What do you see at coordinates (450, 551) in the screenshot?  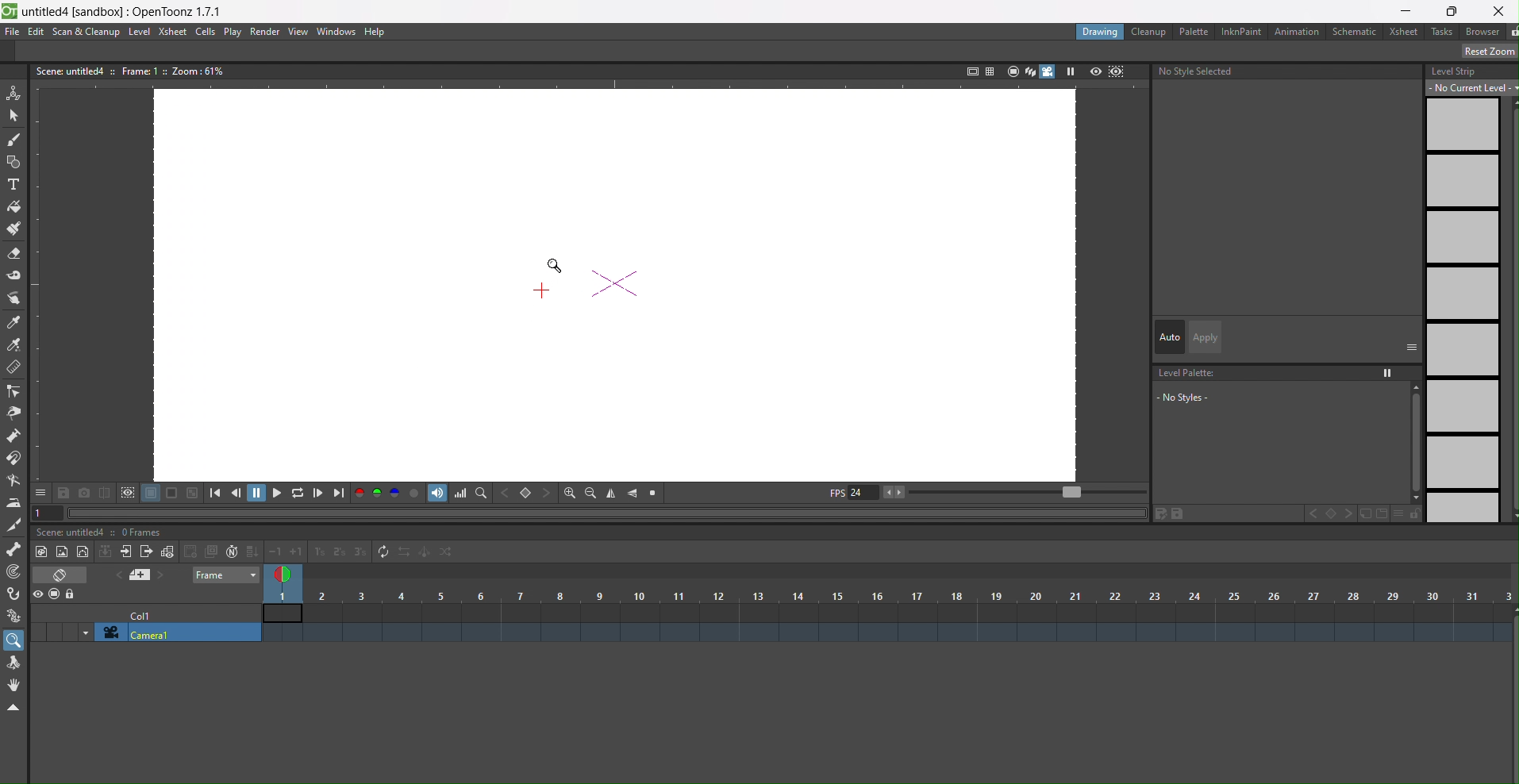 I see `` at bounding box center [450, 551].